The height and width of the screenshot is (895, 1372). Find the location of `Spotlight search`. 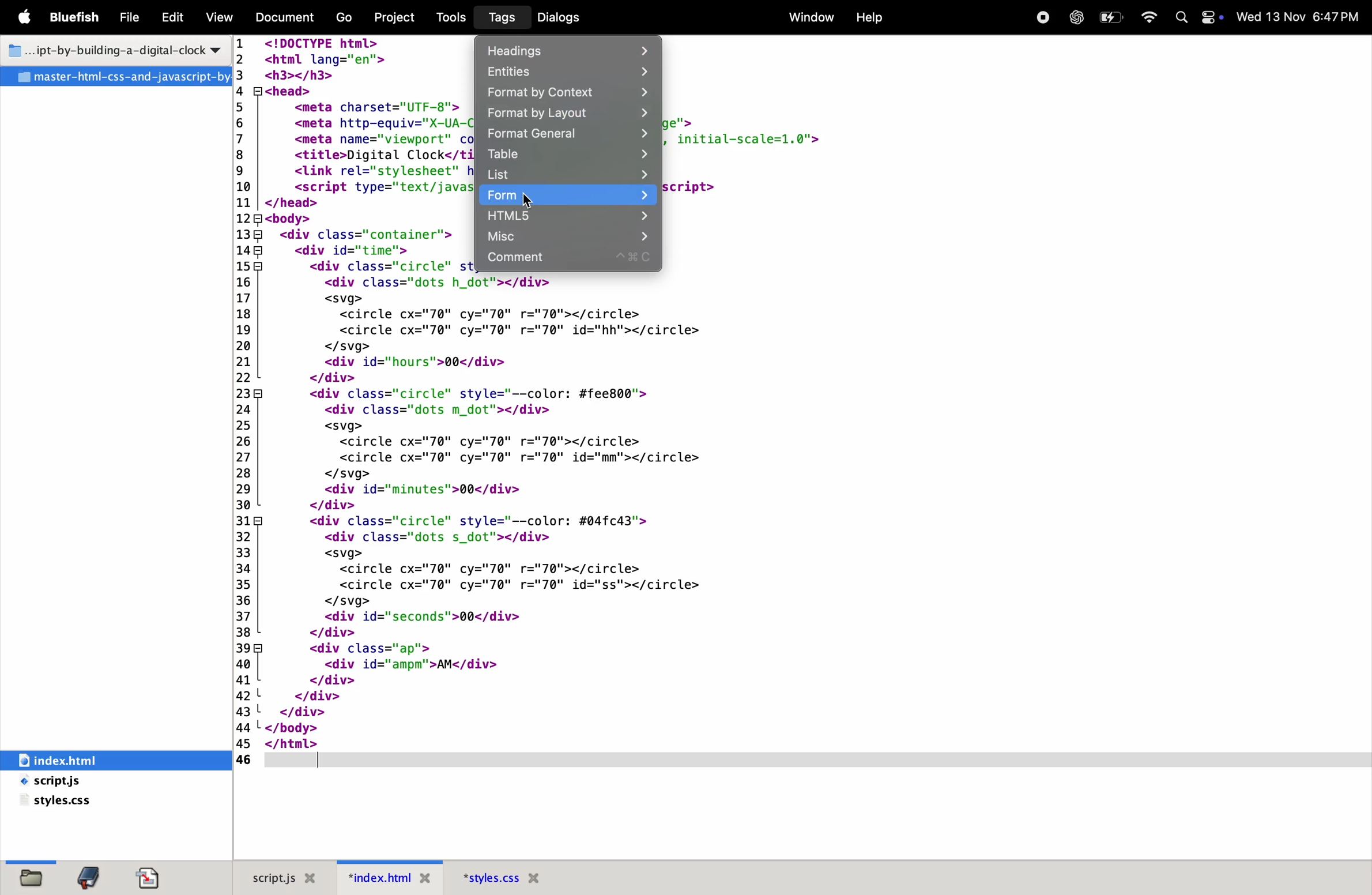

Spotlight search is located at coordinates (1182, 17).